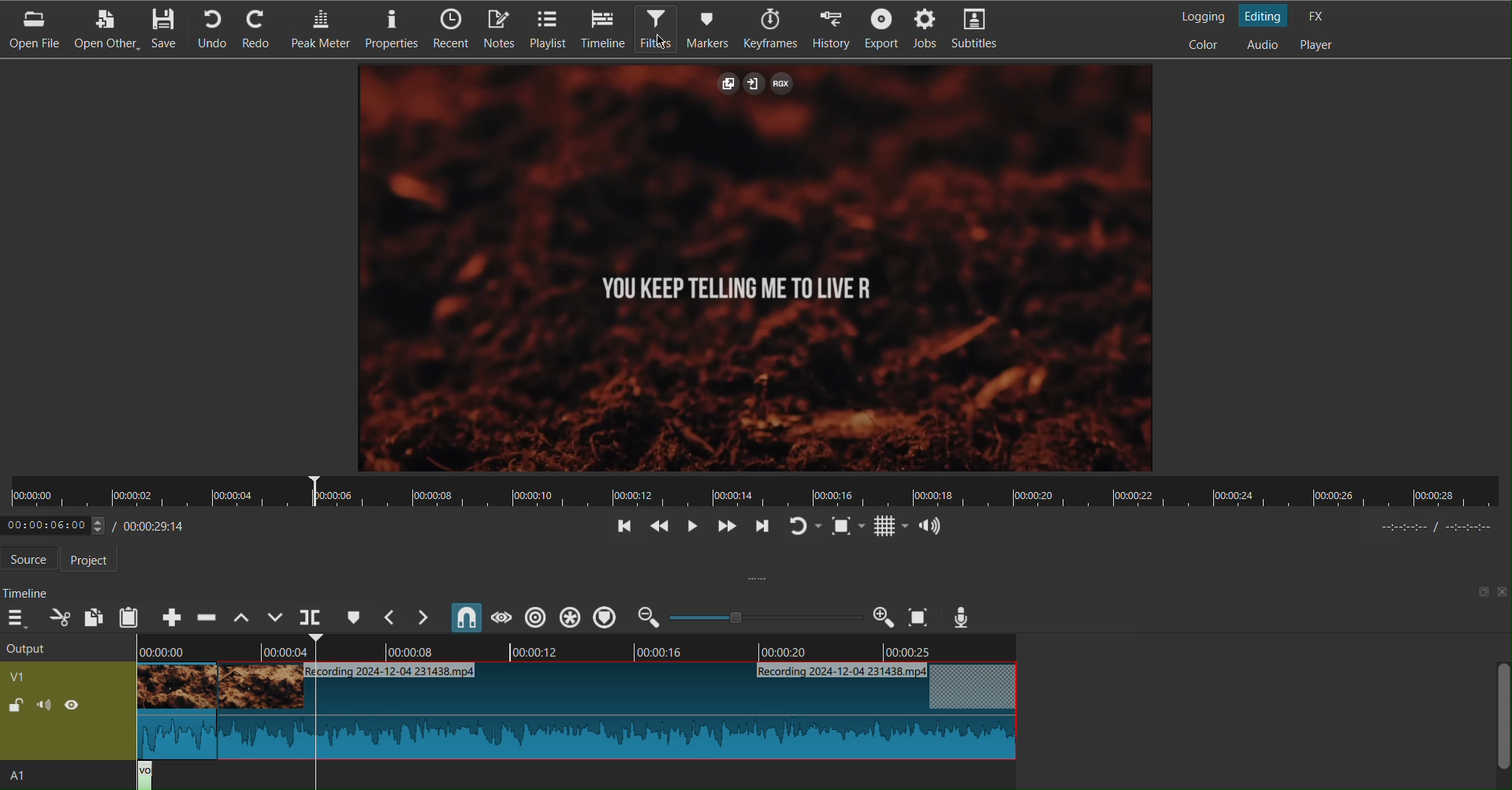  I want to click on close, so click(1503, 593).